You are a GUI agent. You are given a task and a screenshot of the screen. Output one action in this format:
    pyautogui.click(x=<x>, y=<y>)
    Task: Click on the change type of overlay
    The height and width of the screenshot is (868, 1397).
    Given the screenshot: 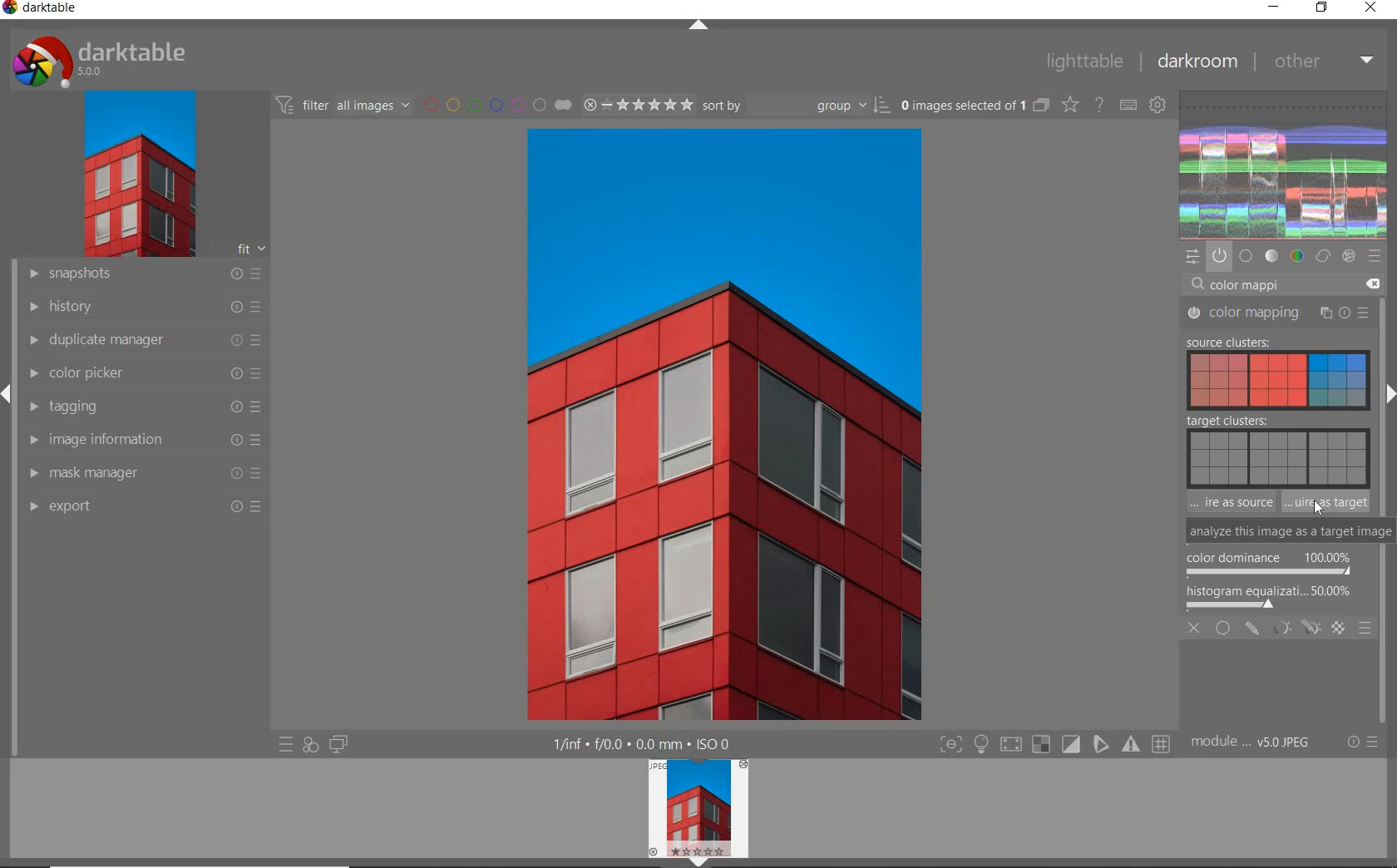 What is the action you would take?
    pyautogui.click(x=1069, y=105)
    